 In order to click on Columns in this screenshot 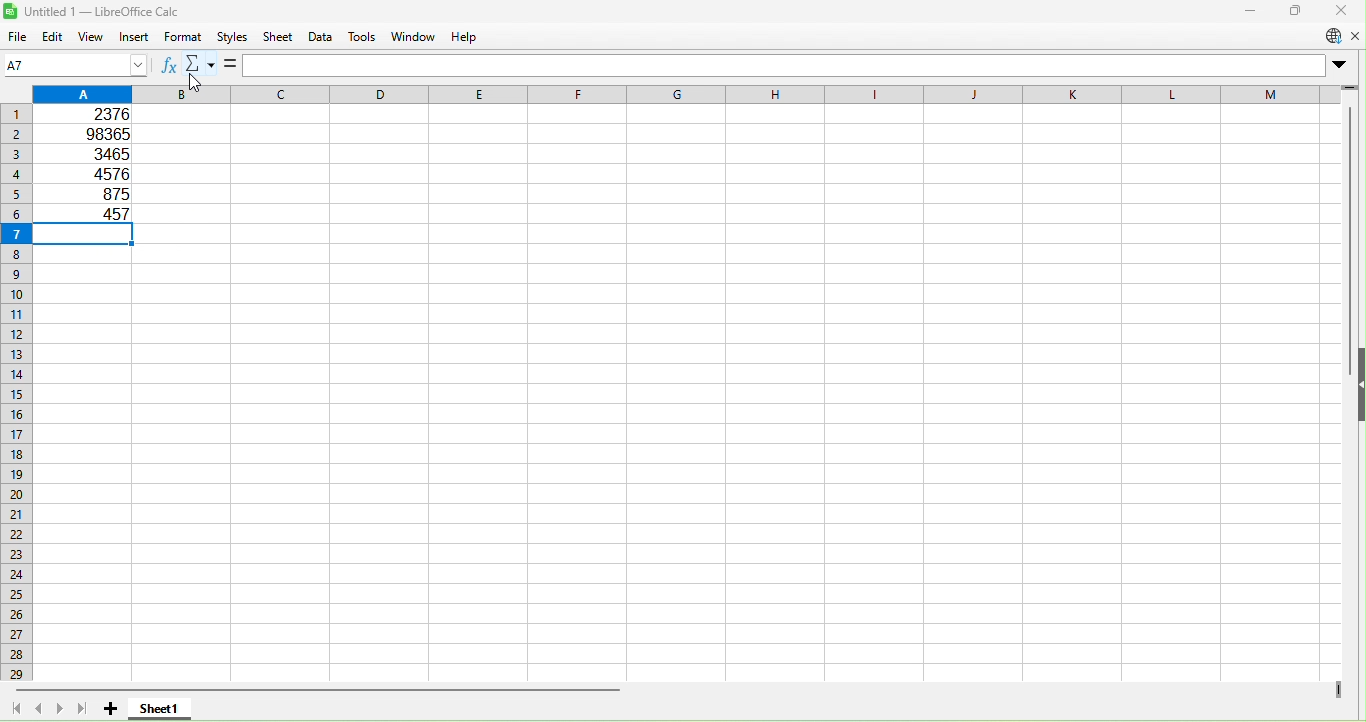, I will do `click(688, 94)`.